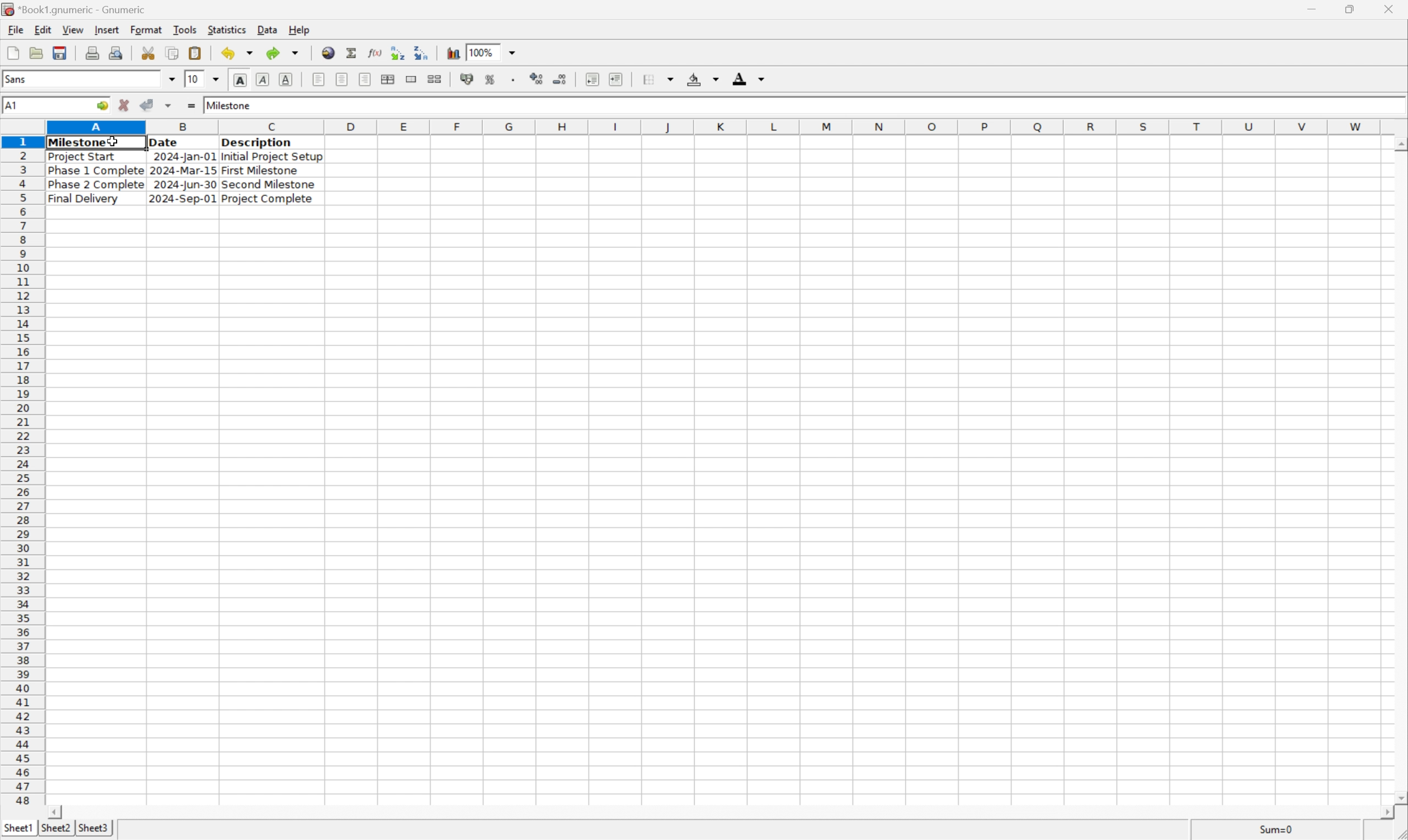  I want to click on bold, so click(239, 80).